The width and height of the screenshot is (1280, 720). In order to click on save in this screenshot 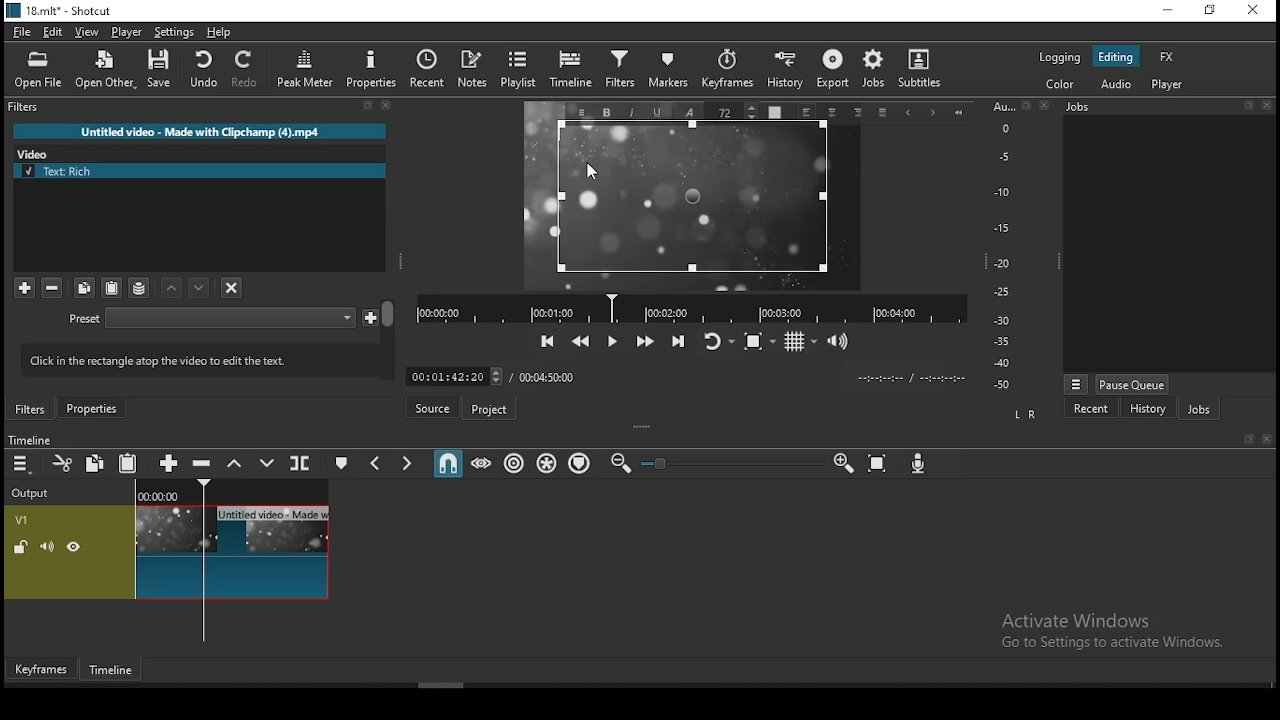, I will do `click(159, 68)`.